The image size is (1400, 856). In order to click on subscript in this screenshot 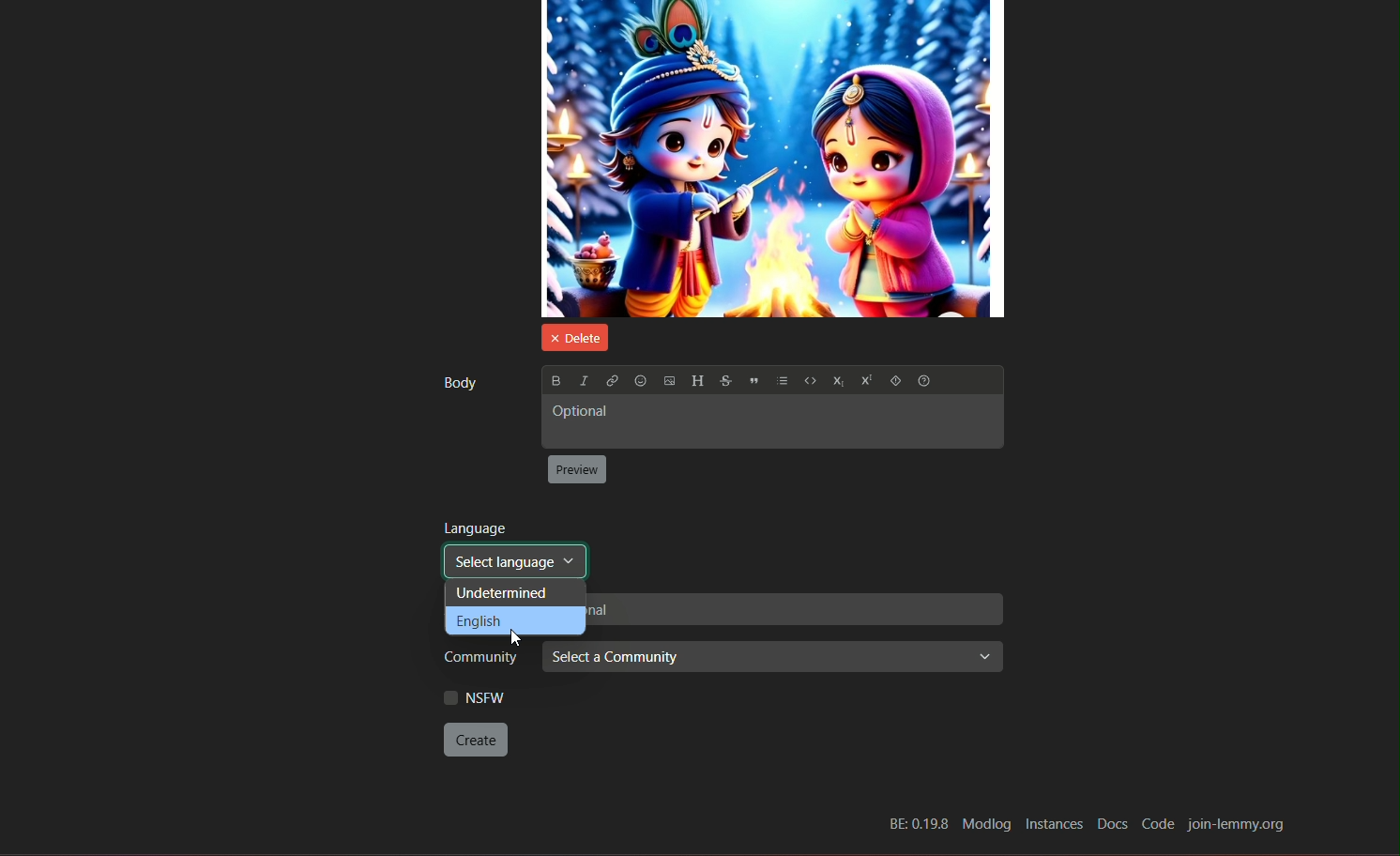, I will do `click(836, 383)`.